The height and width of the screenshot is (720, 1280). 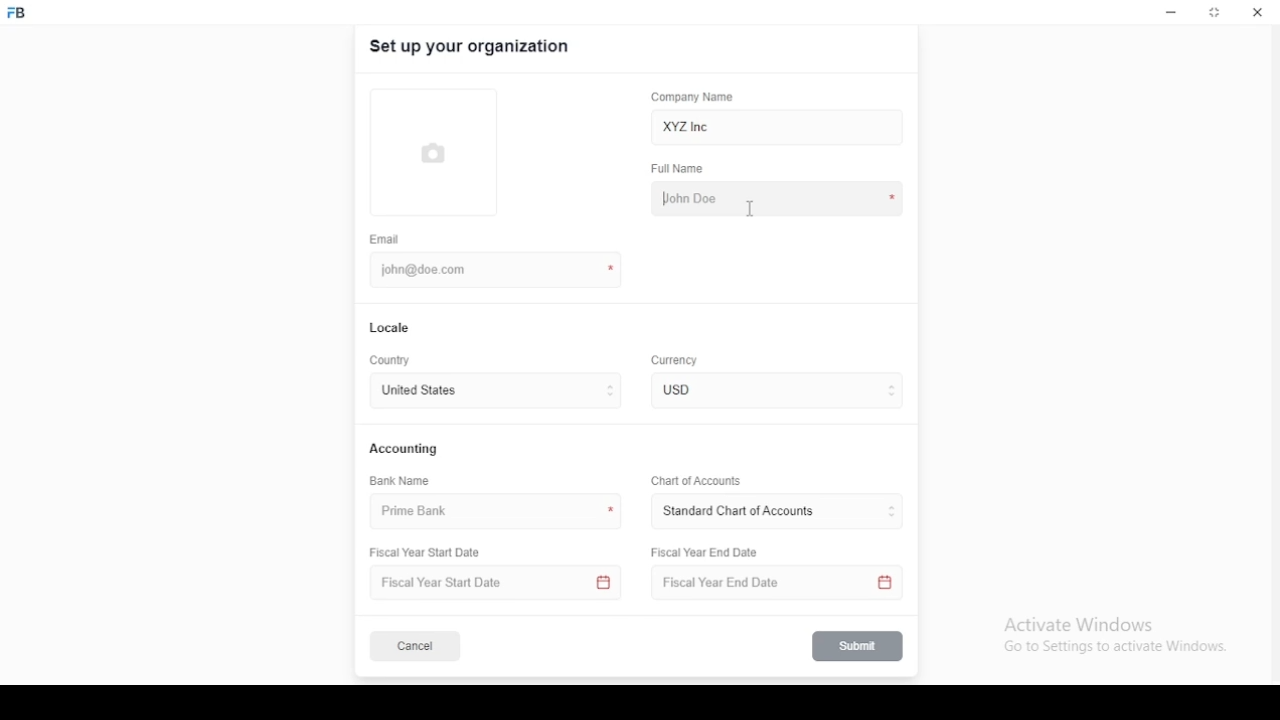 What do you see at coordinates (431, 269) in the screenshot?
I see `john@doe.com` at bounding box center [431, 269].